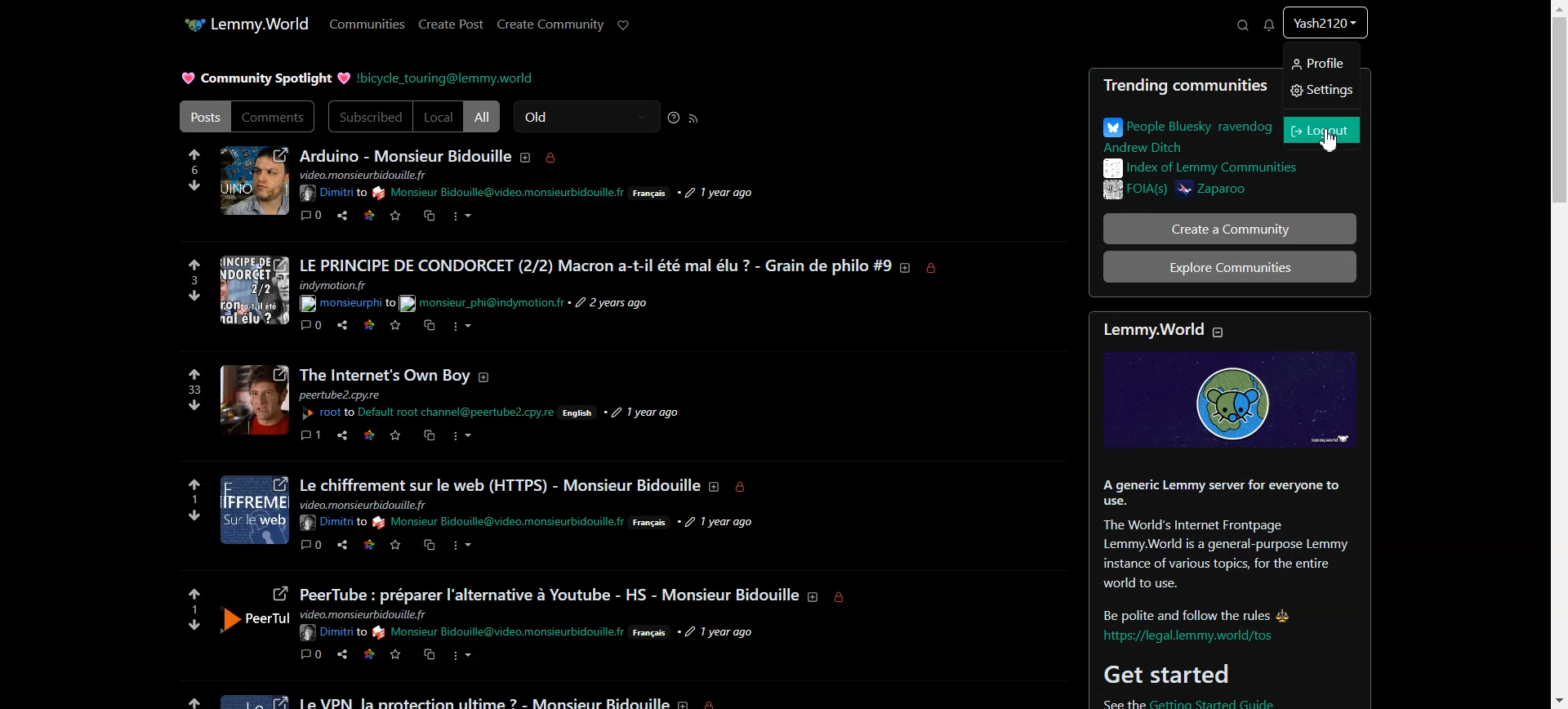 Image resolution: width=1568 pixels, height=709 pixels. I want to click on text, so click(350, 395).